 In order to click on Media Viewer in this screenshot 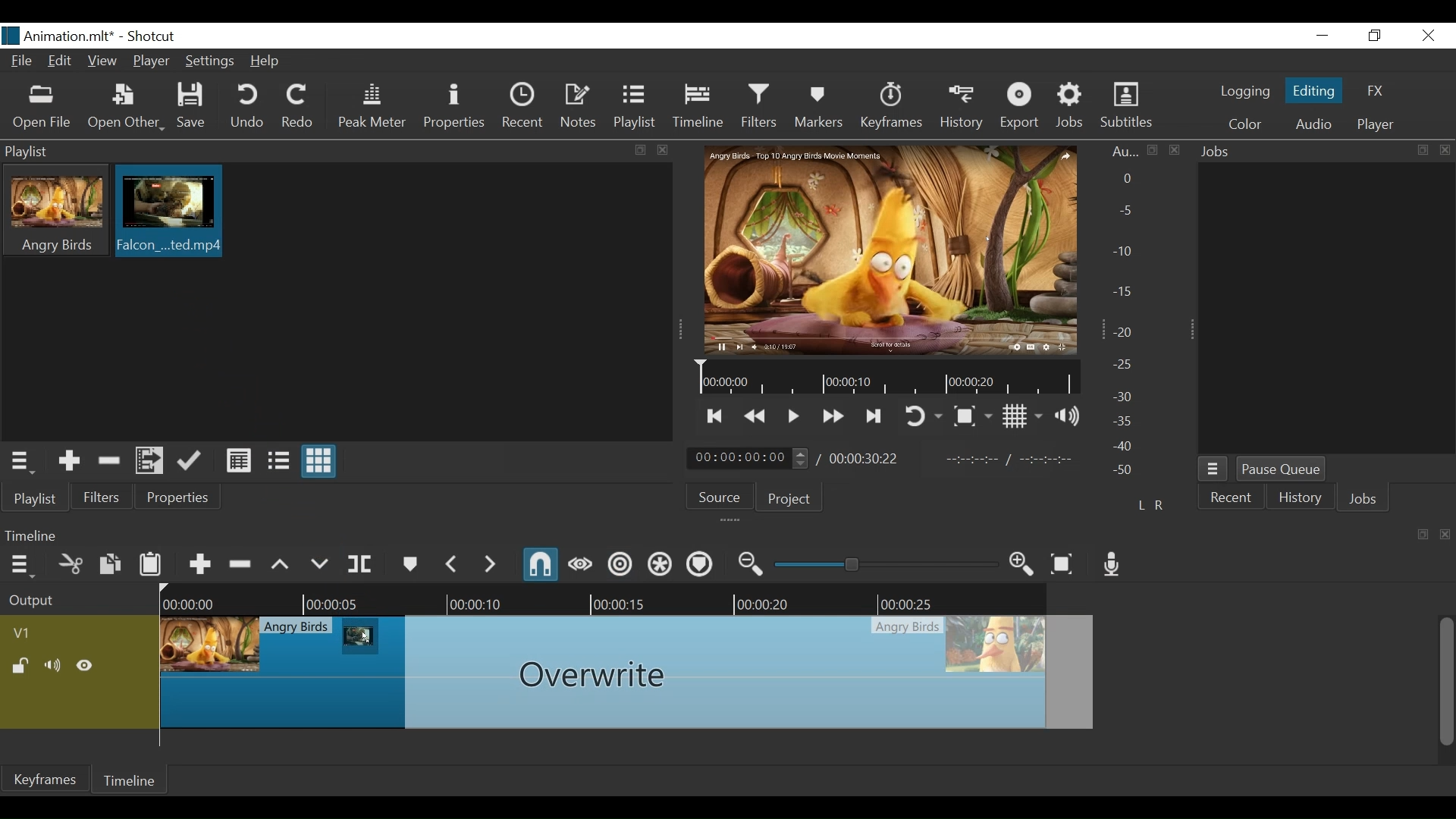, I will do `click(890, 249)`.